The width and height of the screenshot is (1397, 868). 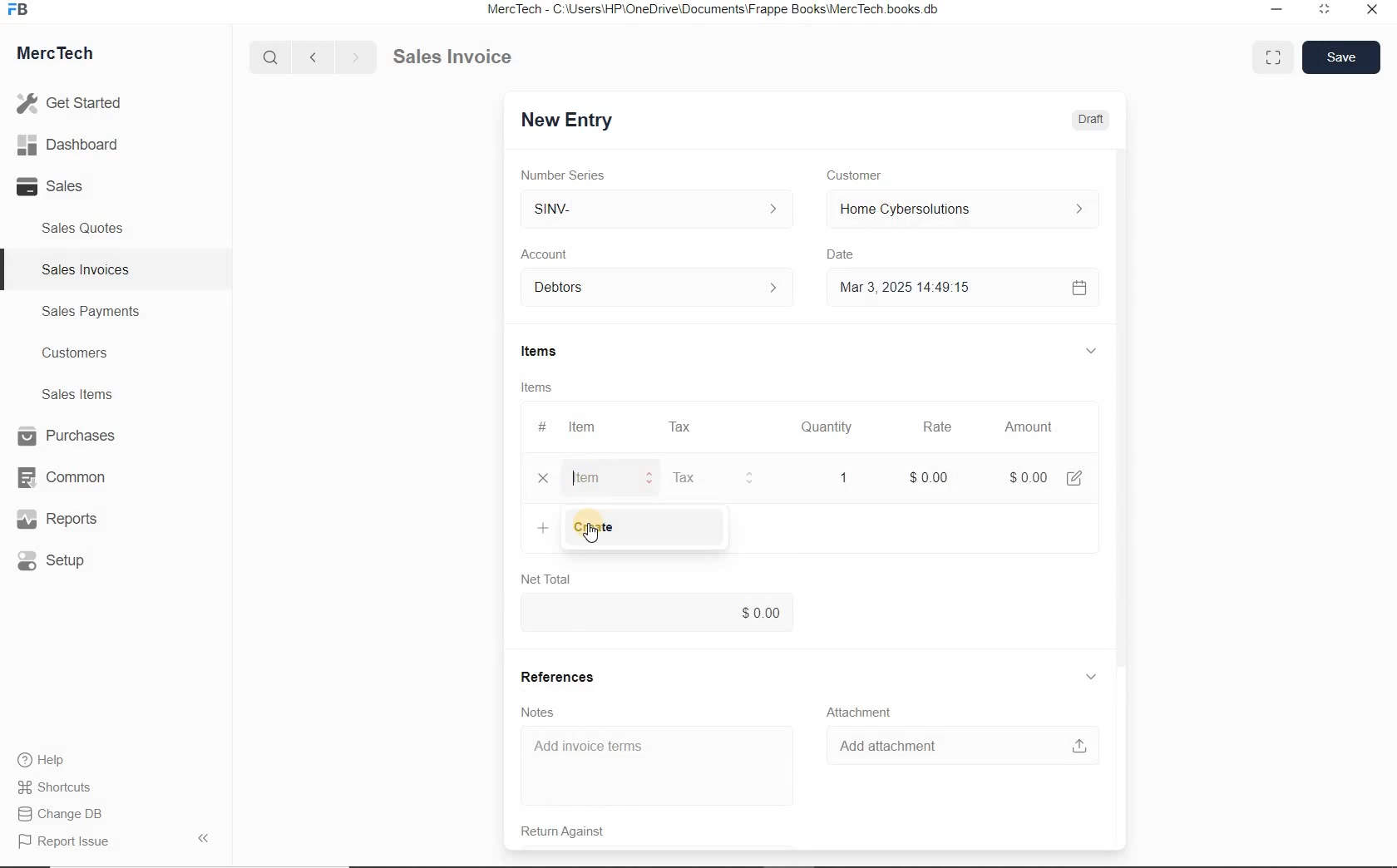 I want to click on Calendar, so click(x=1078, y=289).